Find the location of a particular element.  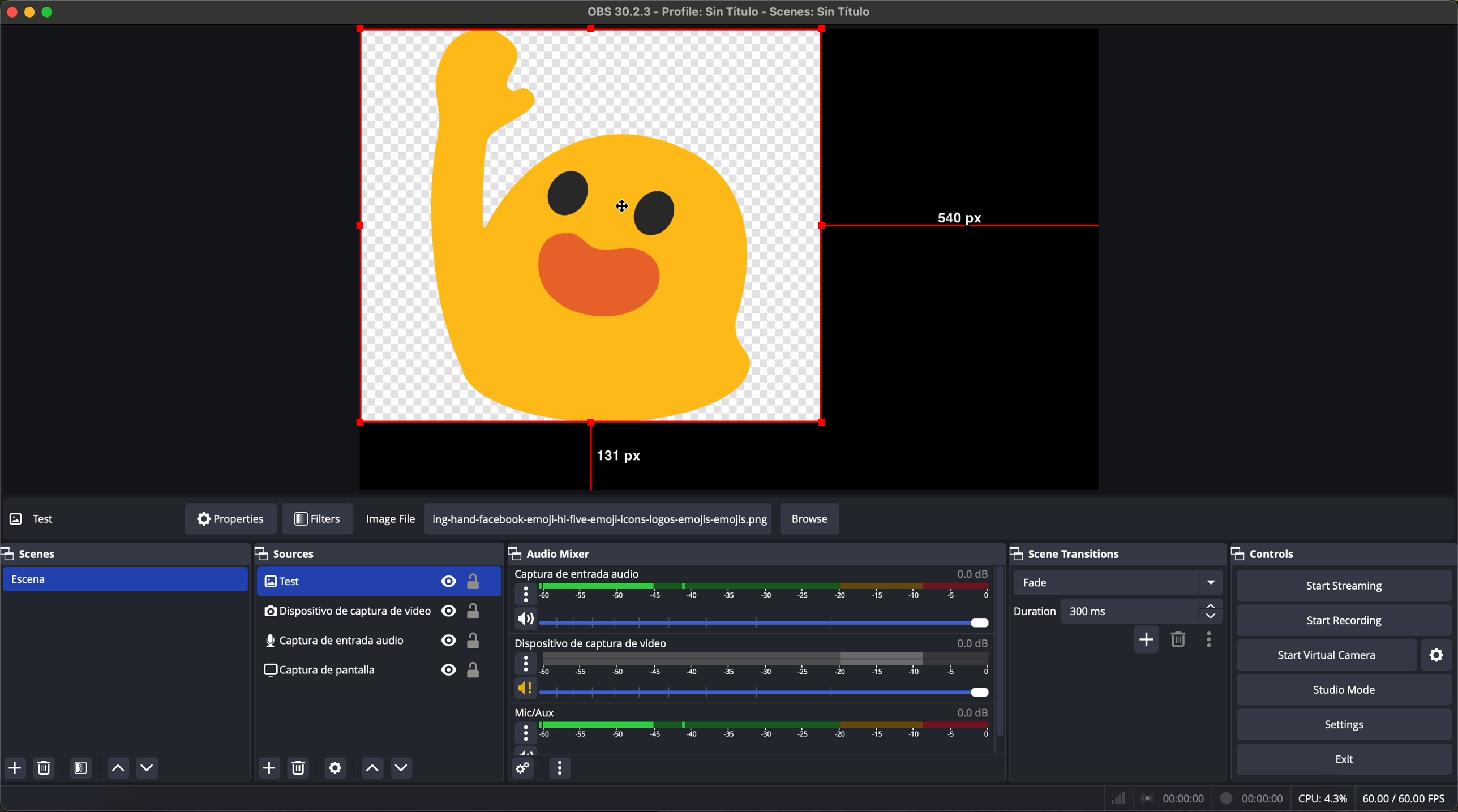

close program is located at coordinates (10, 11).